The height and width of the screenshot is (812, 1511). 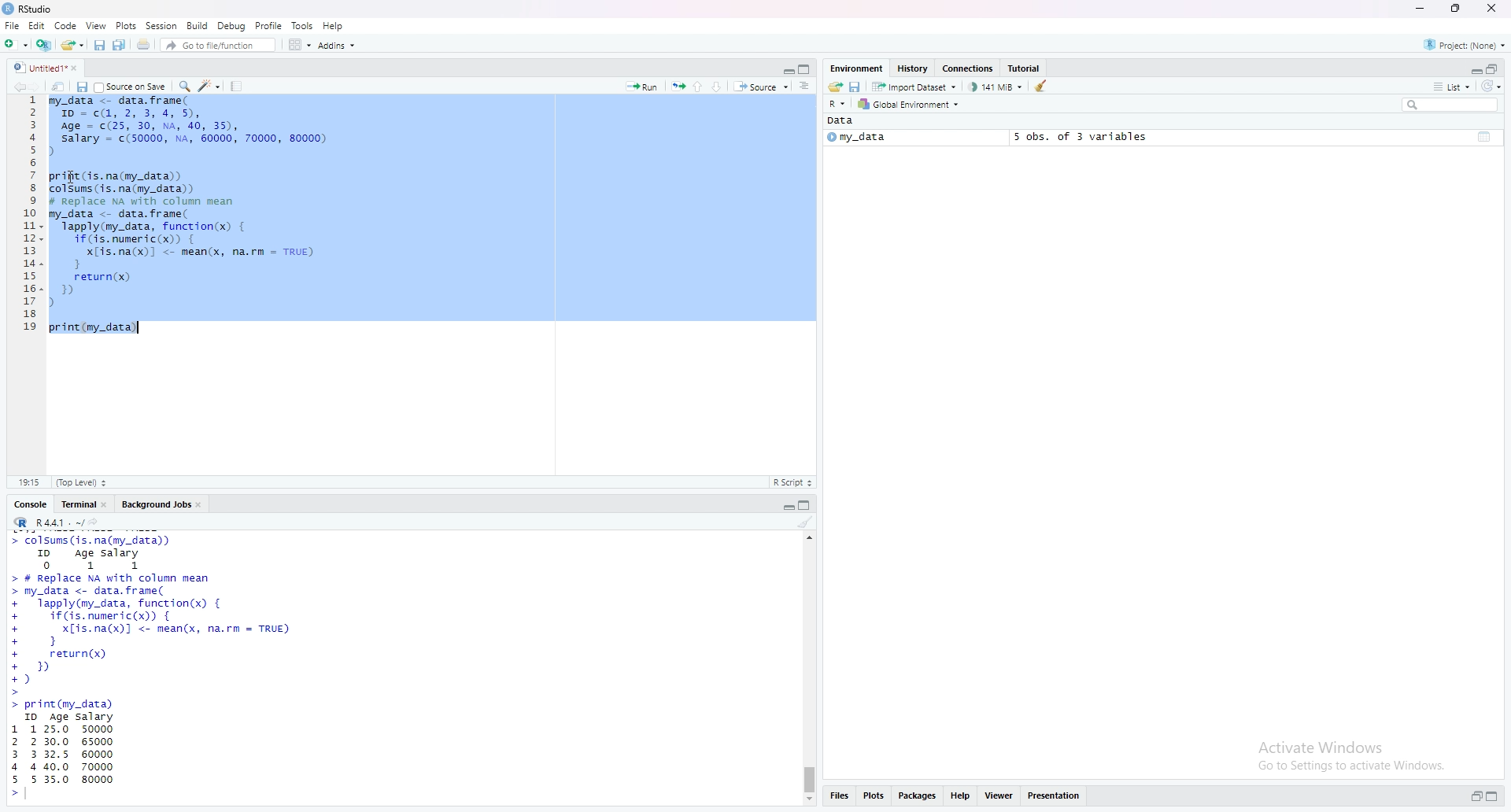 I want to click on expand, so click(x=785, y=508).